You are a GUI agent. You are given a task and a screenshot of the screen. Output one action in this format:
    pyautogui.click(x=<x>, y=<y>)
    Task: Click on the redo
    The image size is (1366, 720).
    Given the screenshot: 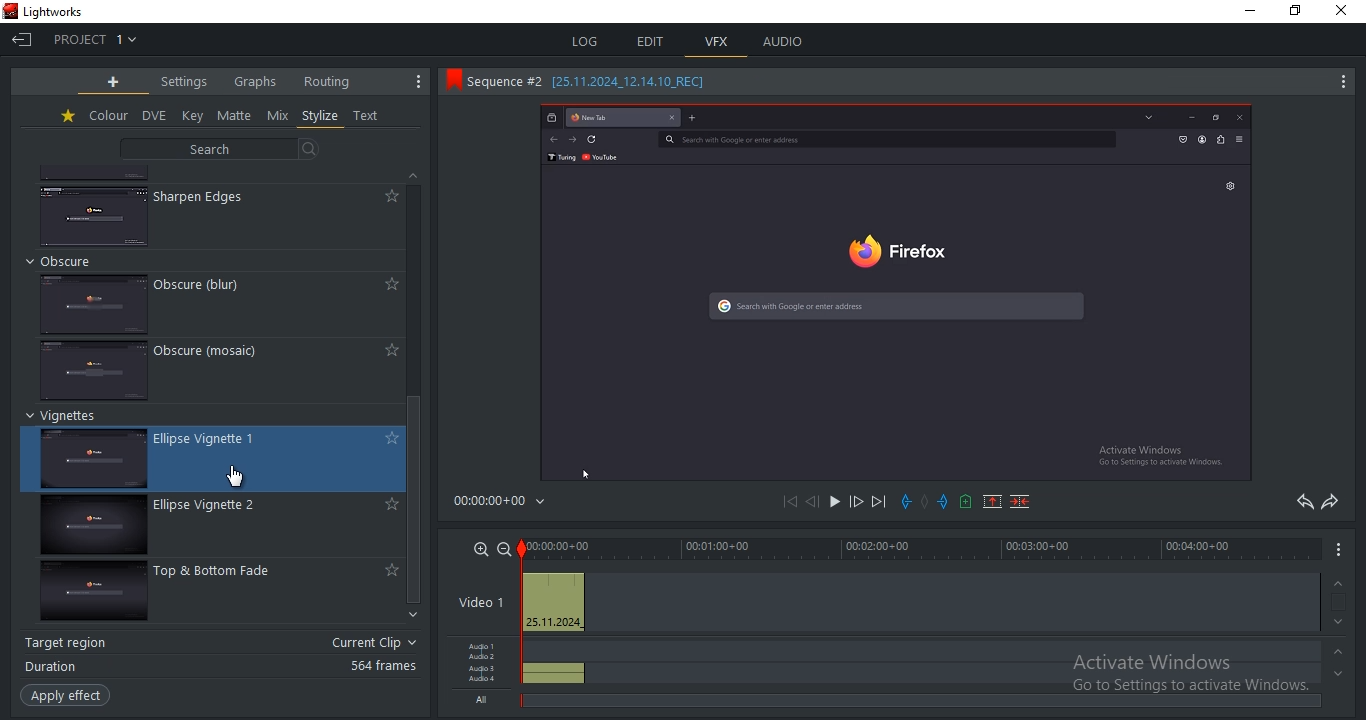 What is the action you would take?
    pyautogui.click(x=1329, y=503)
    